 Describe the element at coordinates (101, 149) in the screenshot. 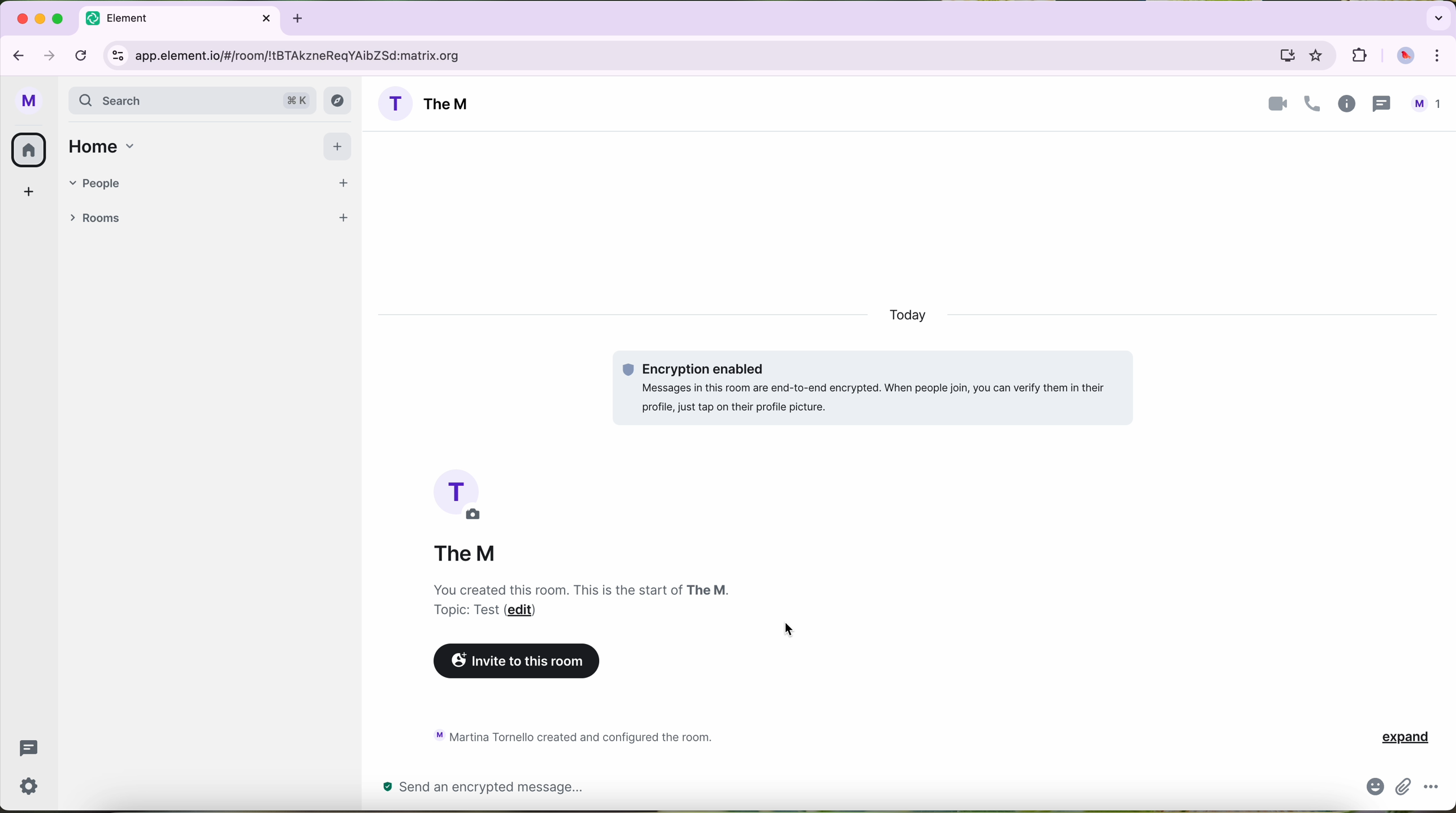

I see `home` at that location.